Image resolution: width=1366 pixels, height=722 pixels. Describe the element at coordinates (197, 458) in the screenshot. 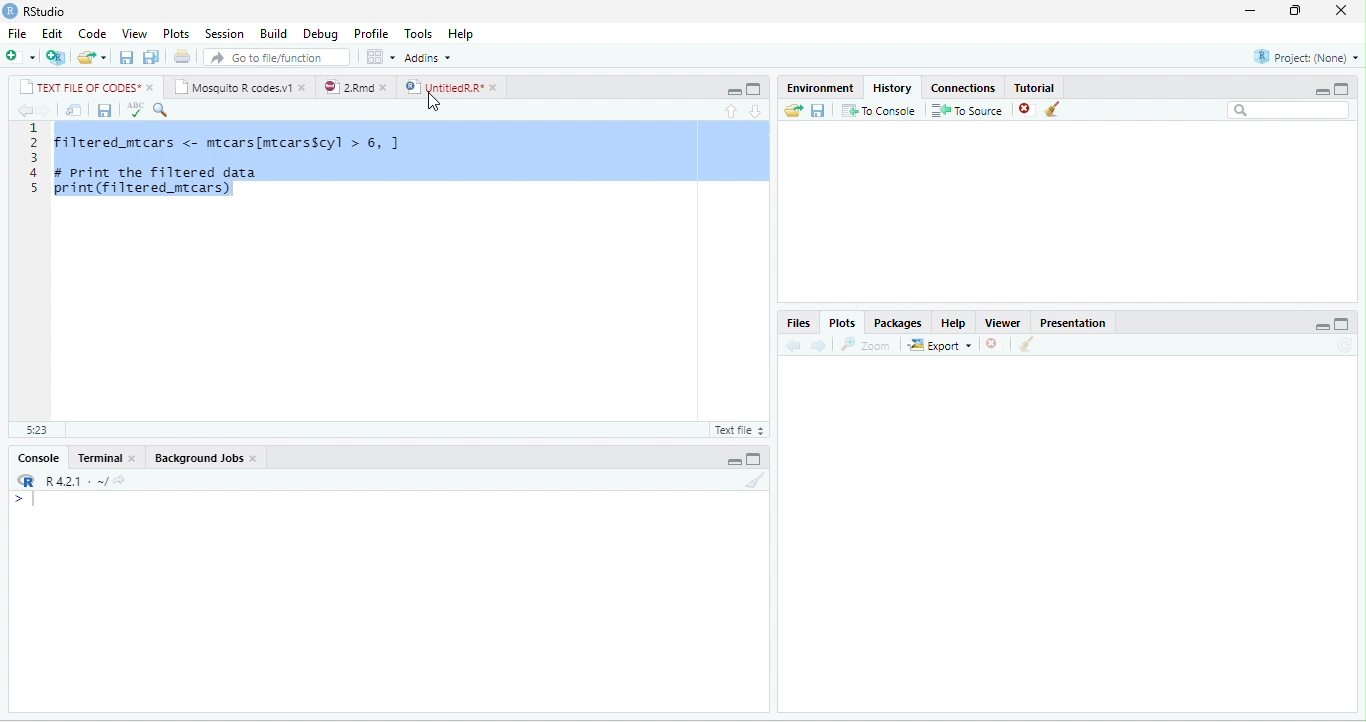

I see `Background Jobs` at that location.